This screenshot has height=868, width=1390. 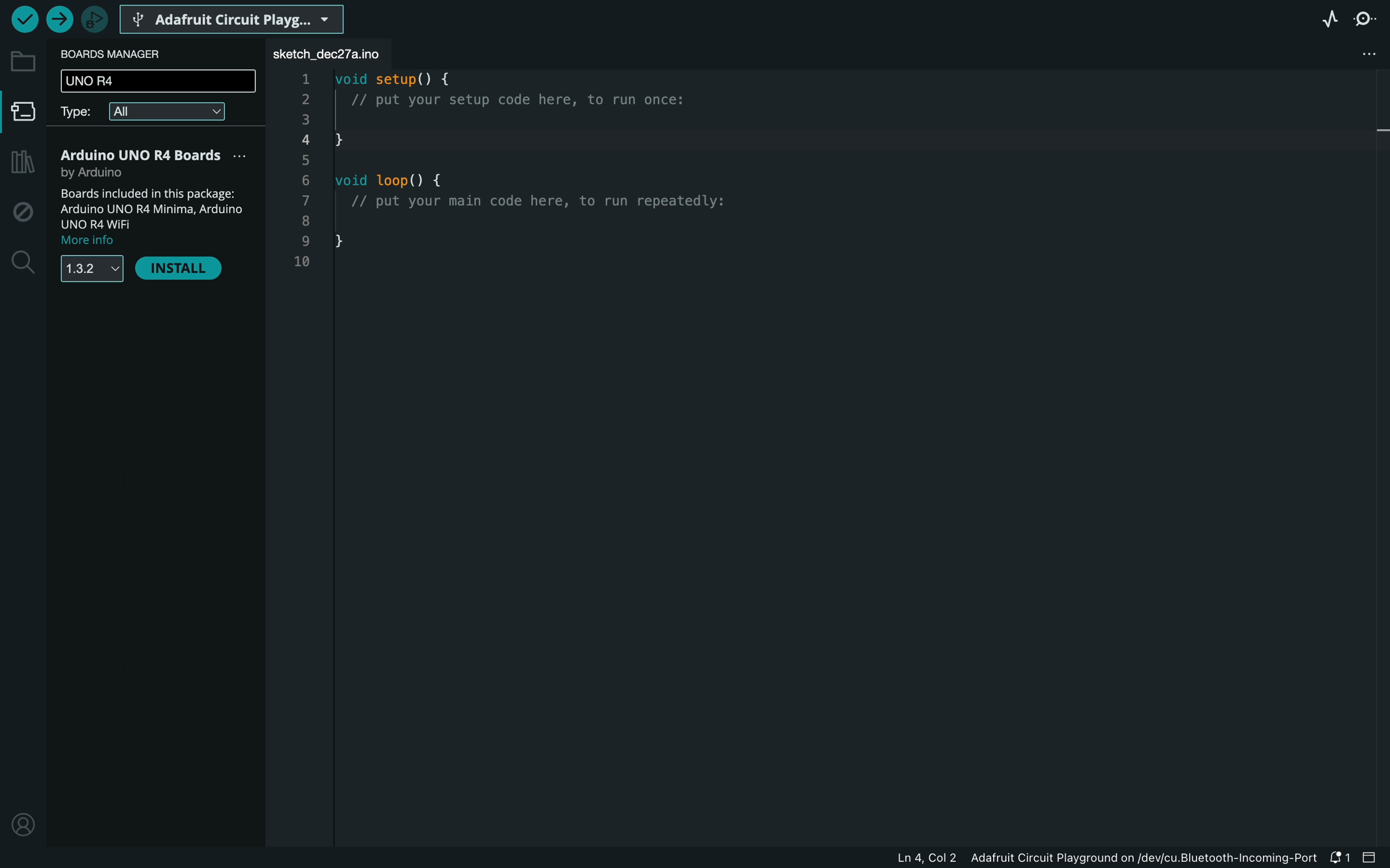 What do you see at coordinates (182, 270) in the screenshot?
I see `install` at bounding box center [182, 270].